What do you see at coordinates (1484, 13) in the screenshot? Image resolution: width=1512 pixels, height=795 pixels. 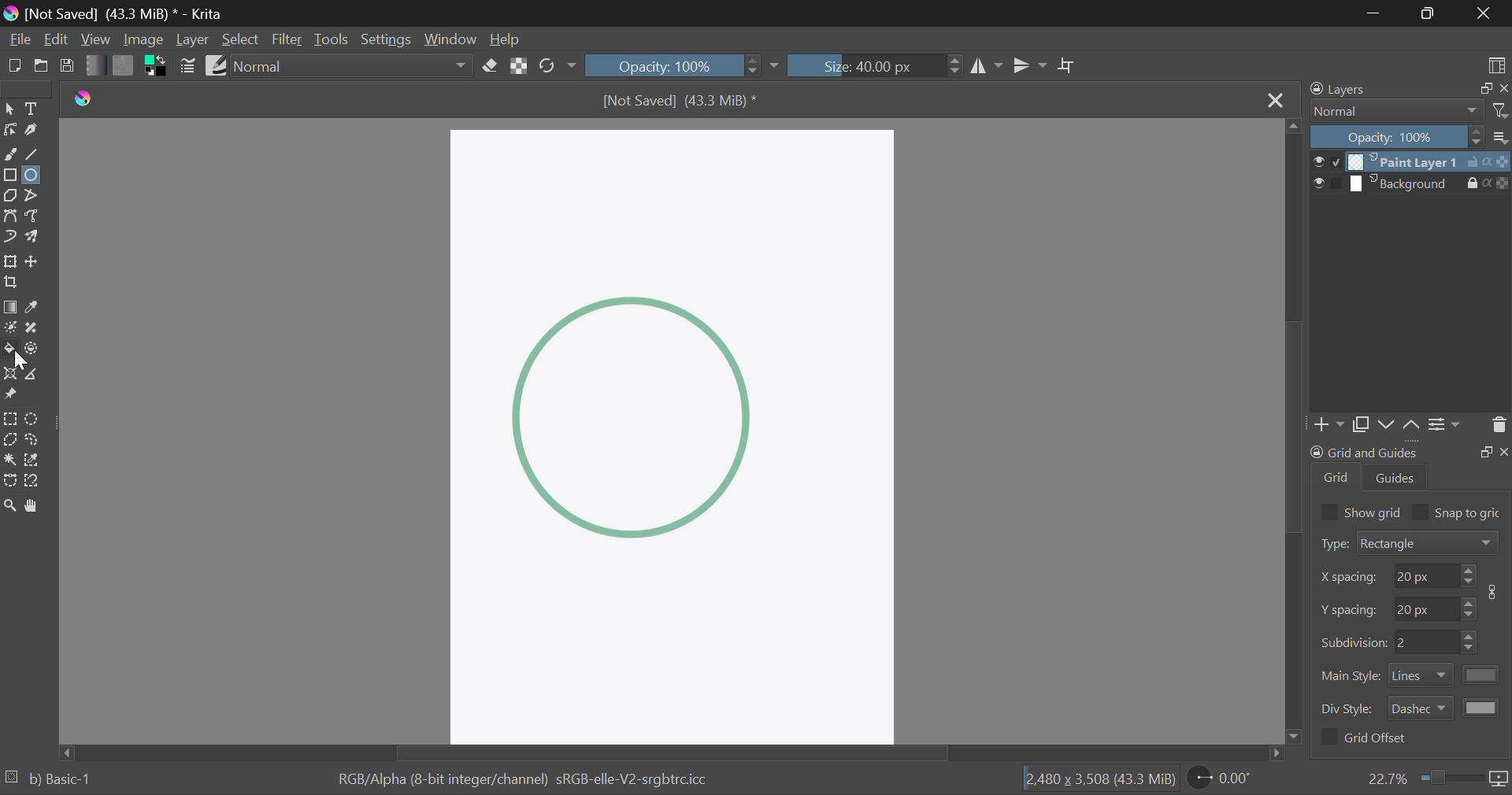 I see `Close` at bounding box center [1484, 13].